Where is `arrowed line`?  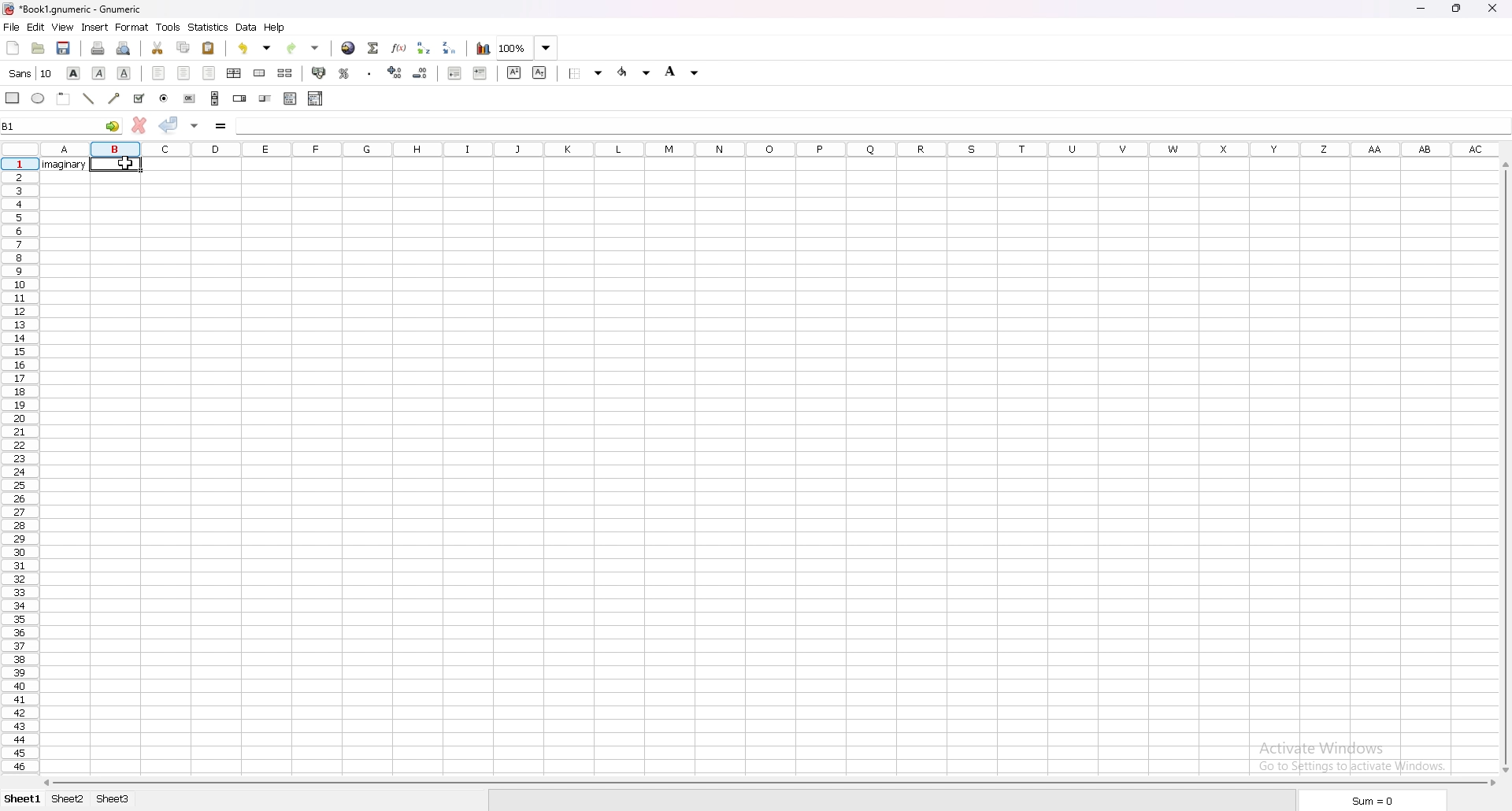
arrowed line is located at coordinates (114, 98).